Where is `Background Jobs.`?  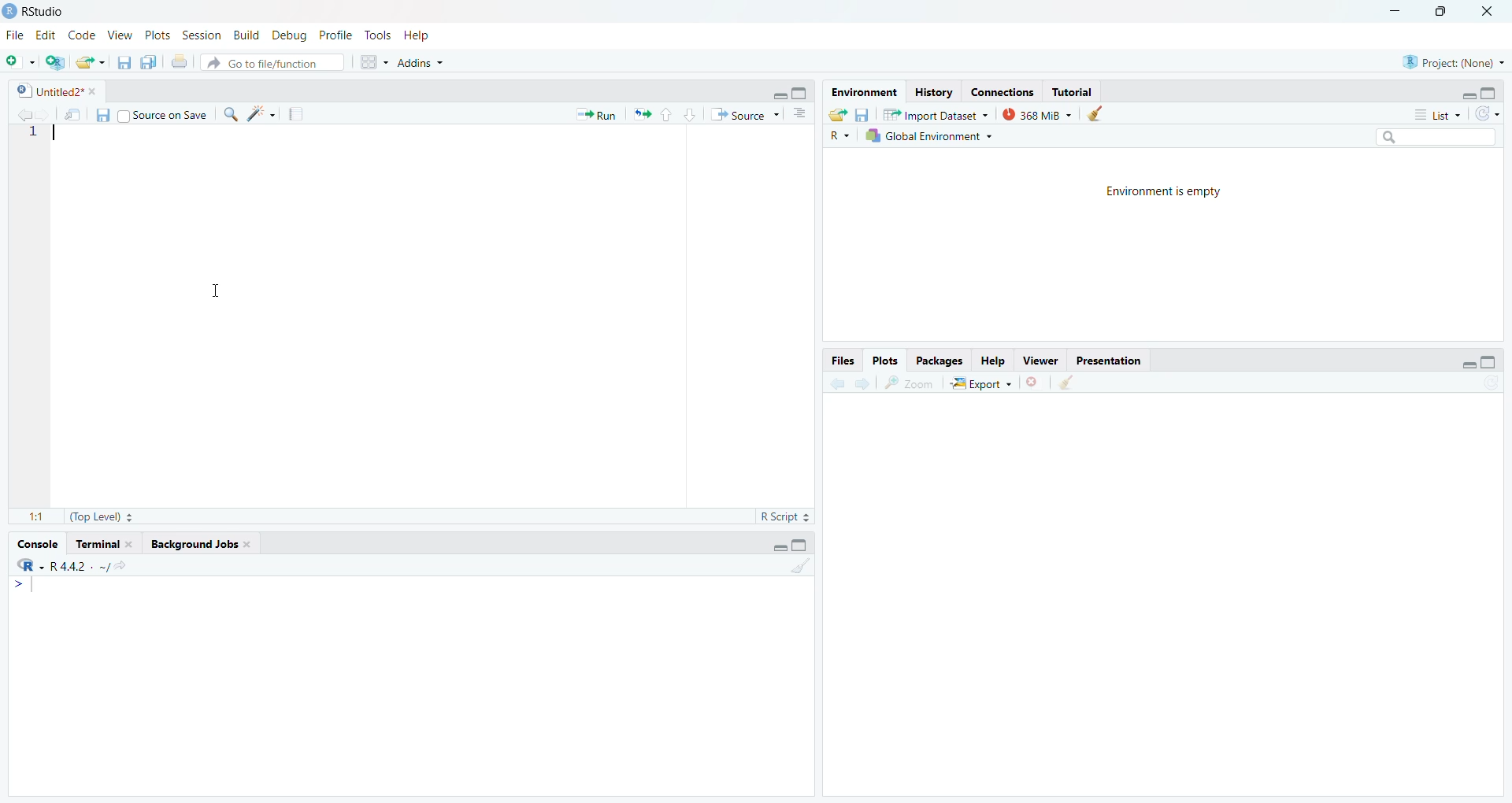 Background Jobs. is located at coordinates (207, 545).